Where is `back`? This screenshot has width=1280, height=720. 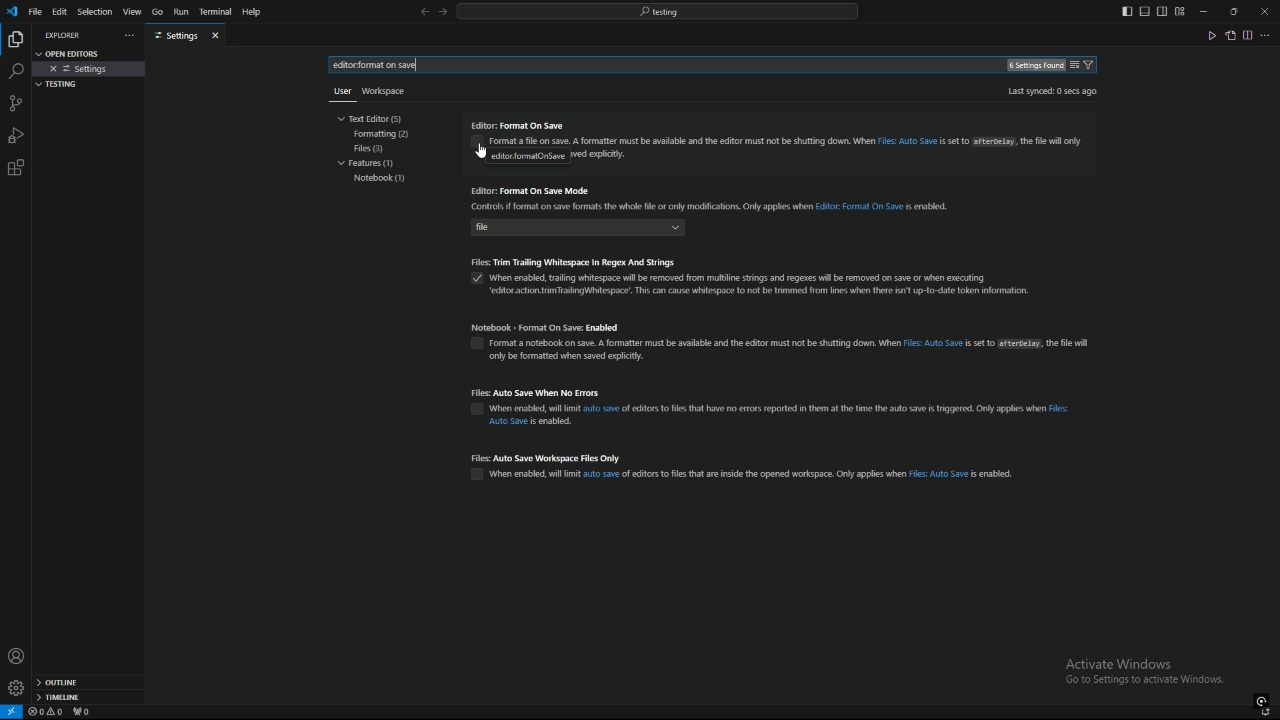 back is located at coordinates (424, 12).